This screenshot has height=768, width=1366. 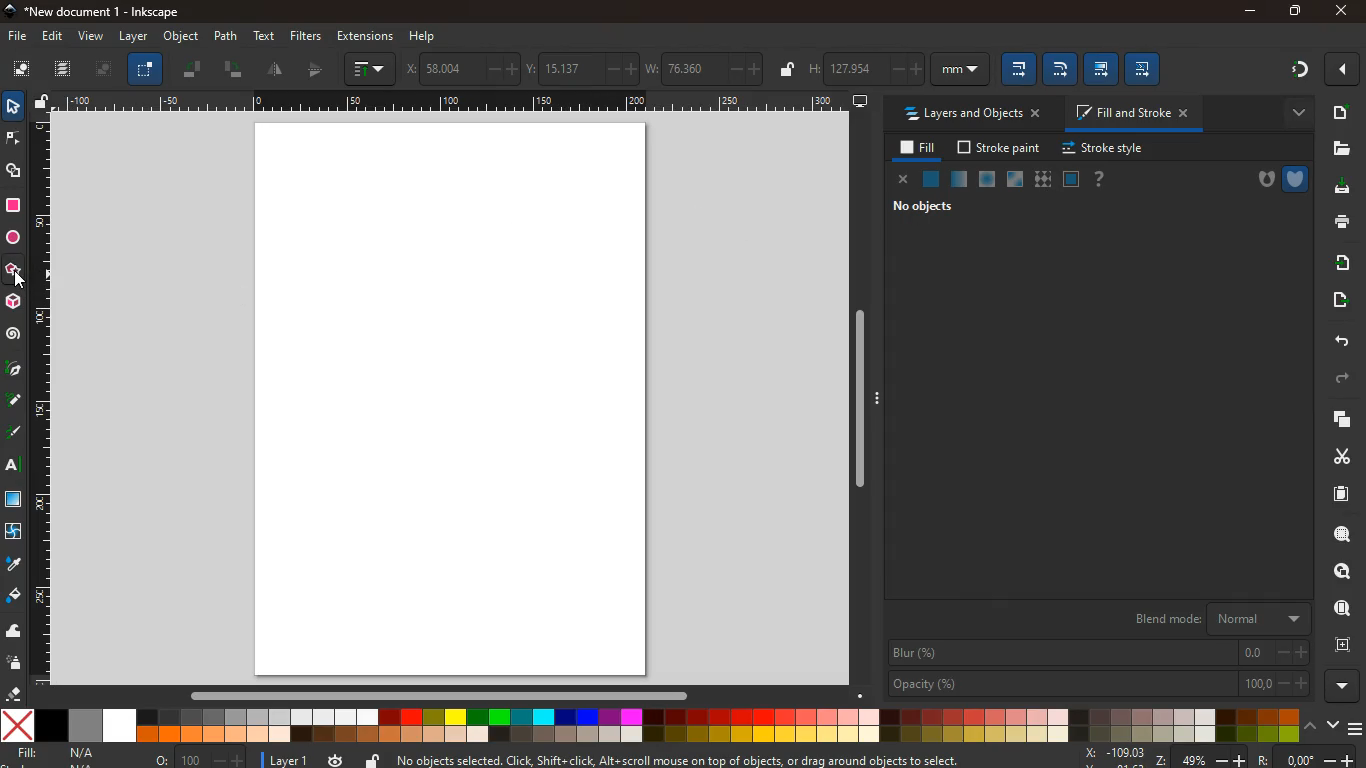 I want to click on Color swatch, so click(x=650, y=726).